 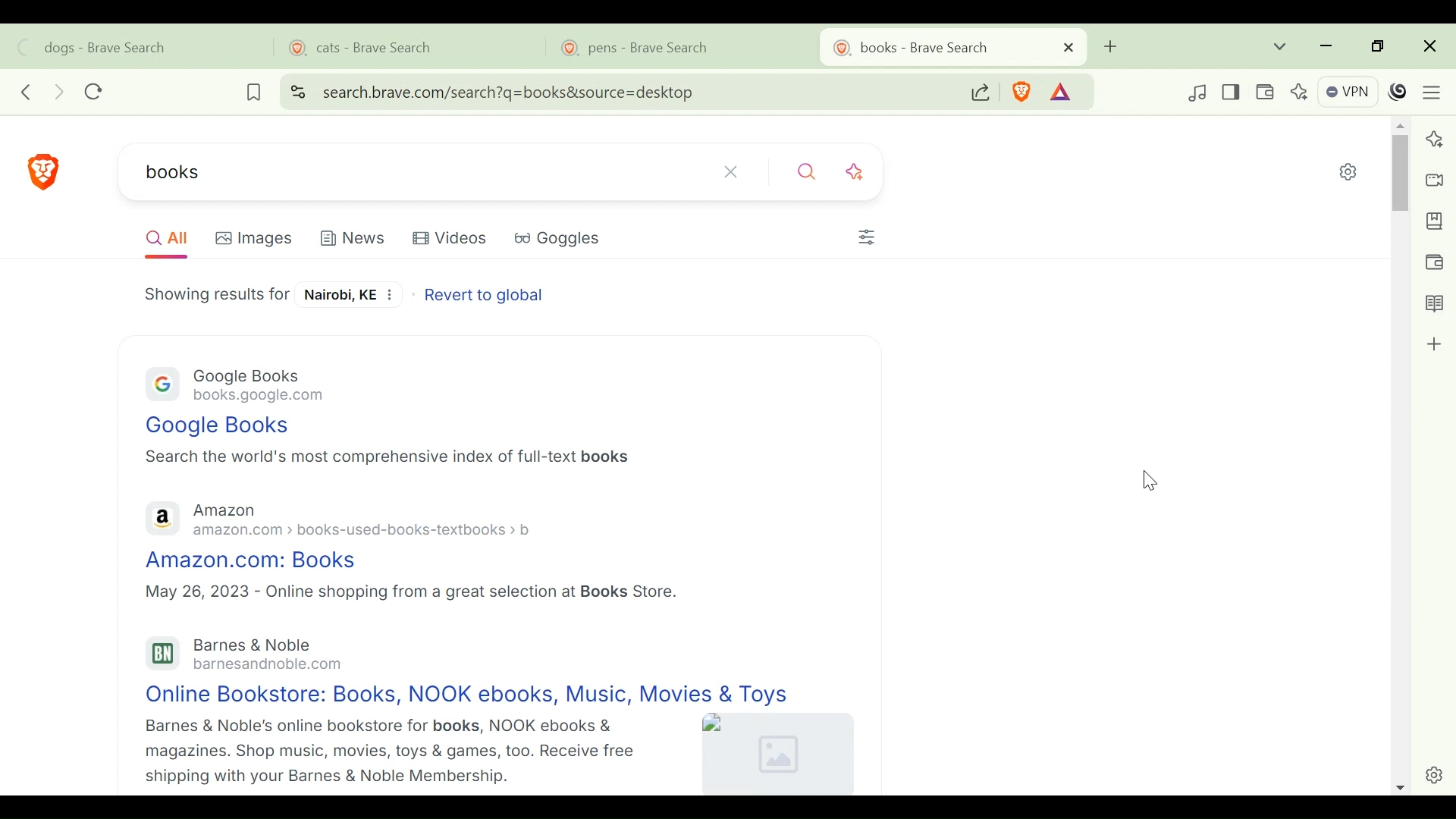 I want to click on Click to go back, so click(x=25, y=90).